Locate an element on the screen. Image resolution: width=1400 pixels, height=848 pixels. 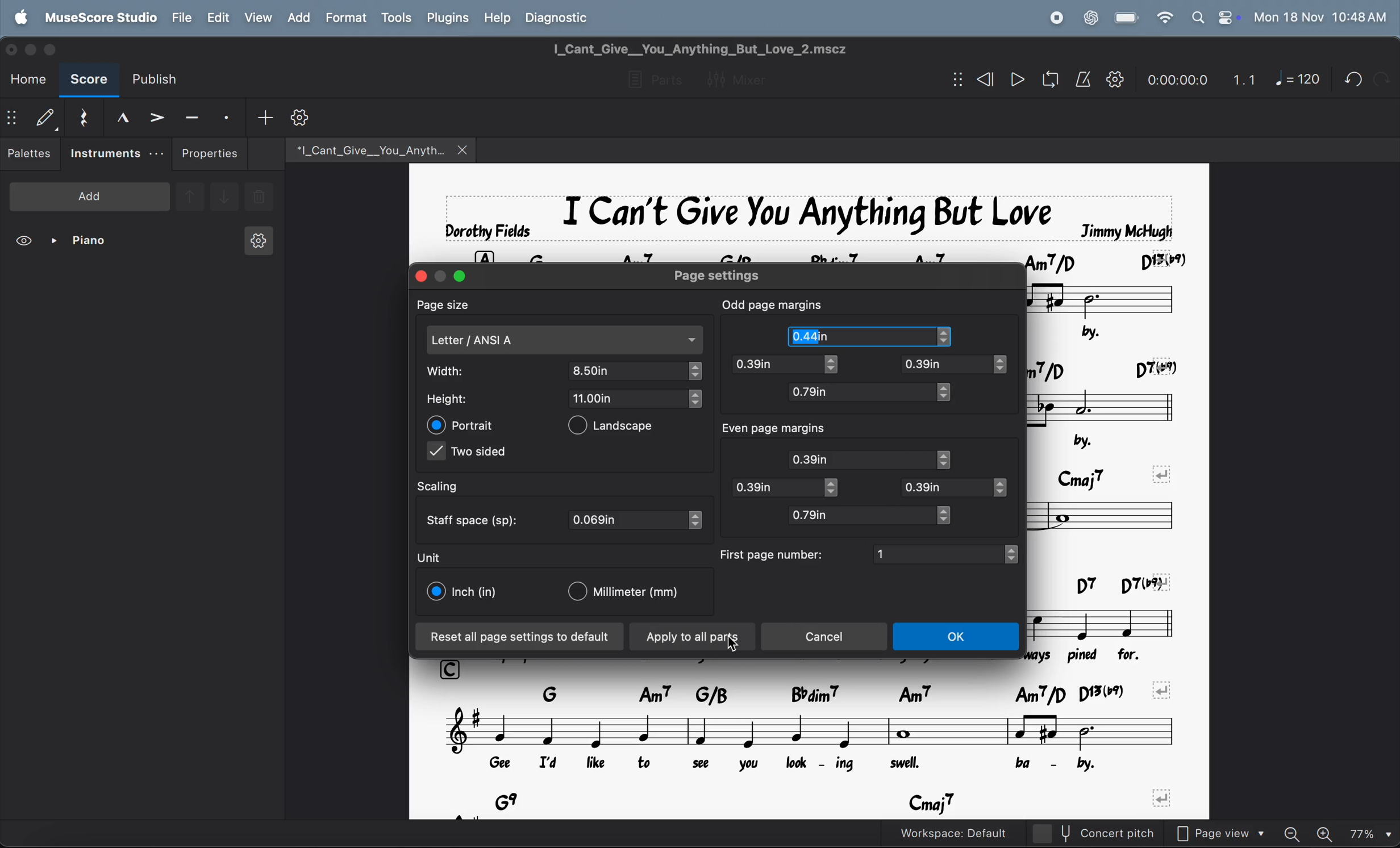
show/hide is located at coordinates (12, 119).